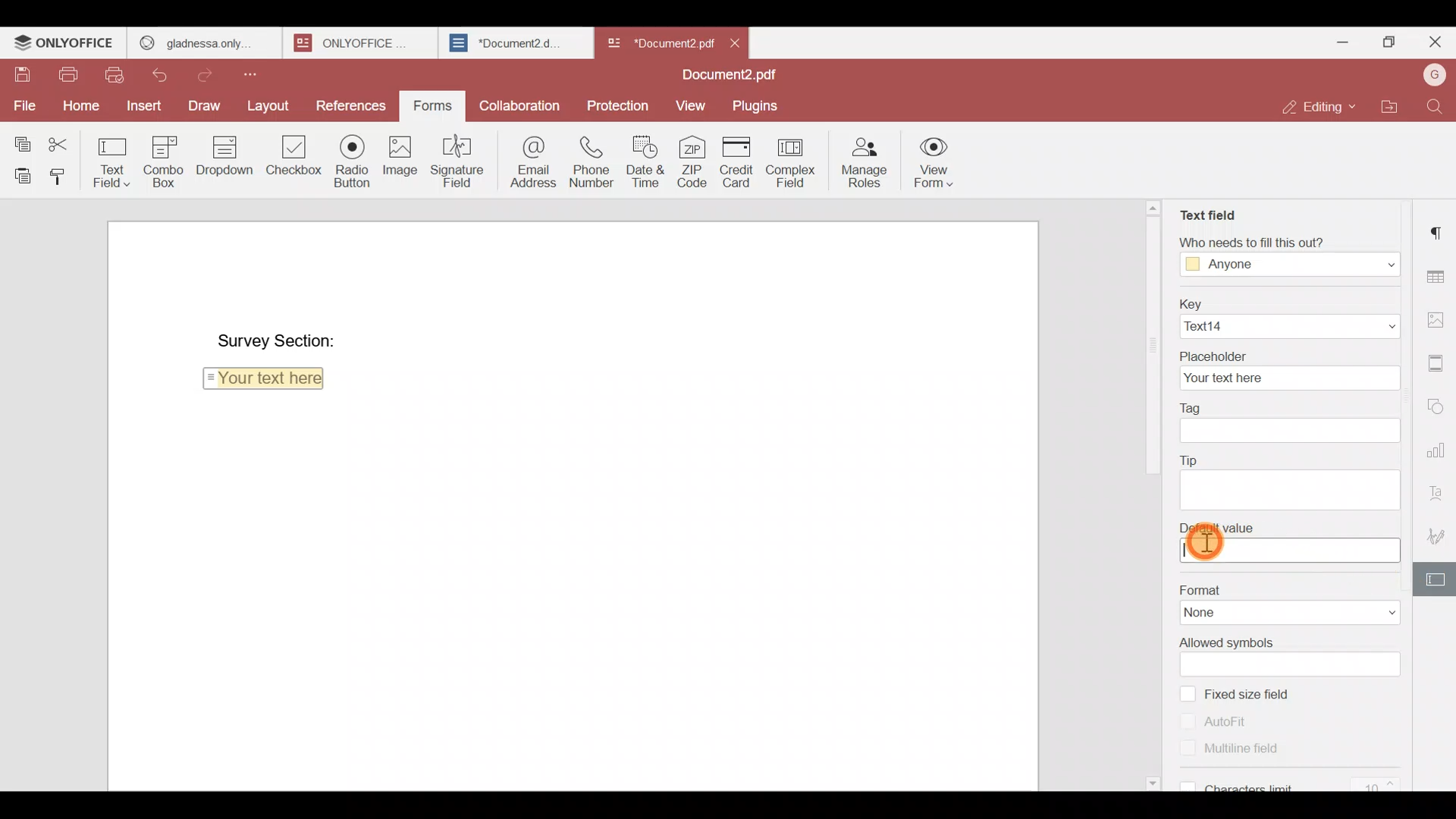 The height and width of the screenshot is (819, 1456). What do you see at coordinates (267, 381) in the screenshot?
I see `Your text here` at bounding box center [267, 381].